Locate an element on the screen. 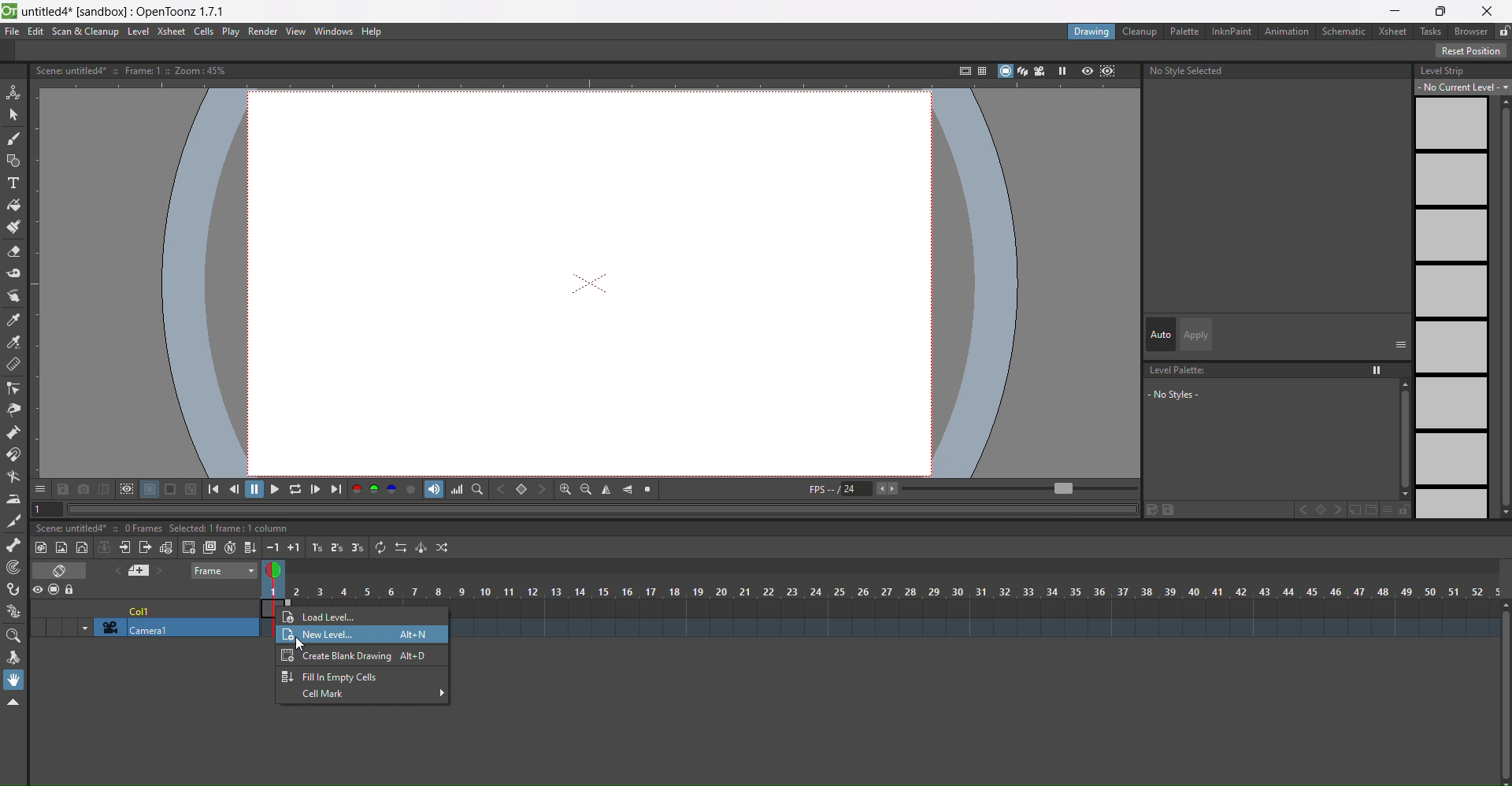 Image resolution: width=1512 pixels, height=786 pixels. cleanup is located at coordinates (1141, 32).